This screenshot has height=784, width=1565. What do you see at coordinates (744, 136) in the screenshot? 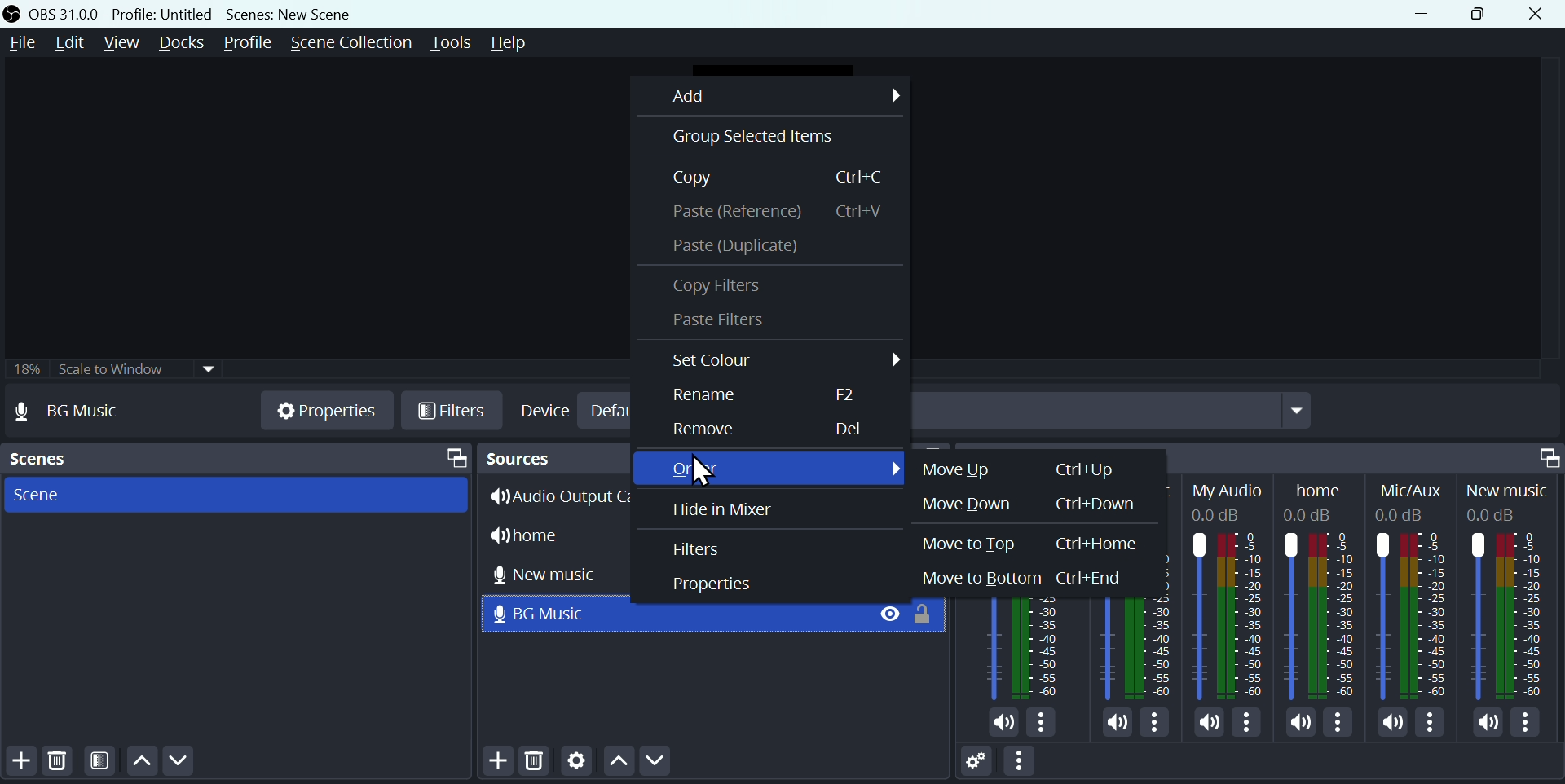
I see `Group selected items` at bounding box center [744, 136].